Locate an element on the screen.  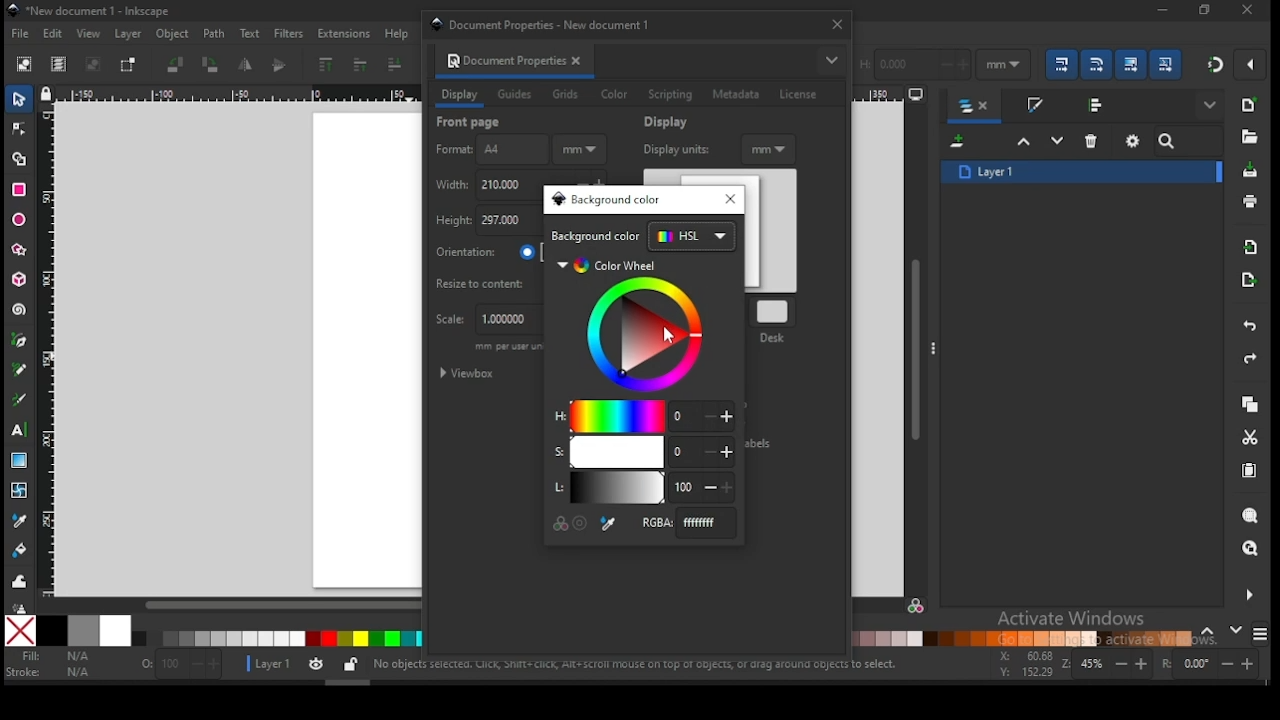
deselect is located at coordinates (90, 65).